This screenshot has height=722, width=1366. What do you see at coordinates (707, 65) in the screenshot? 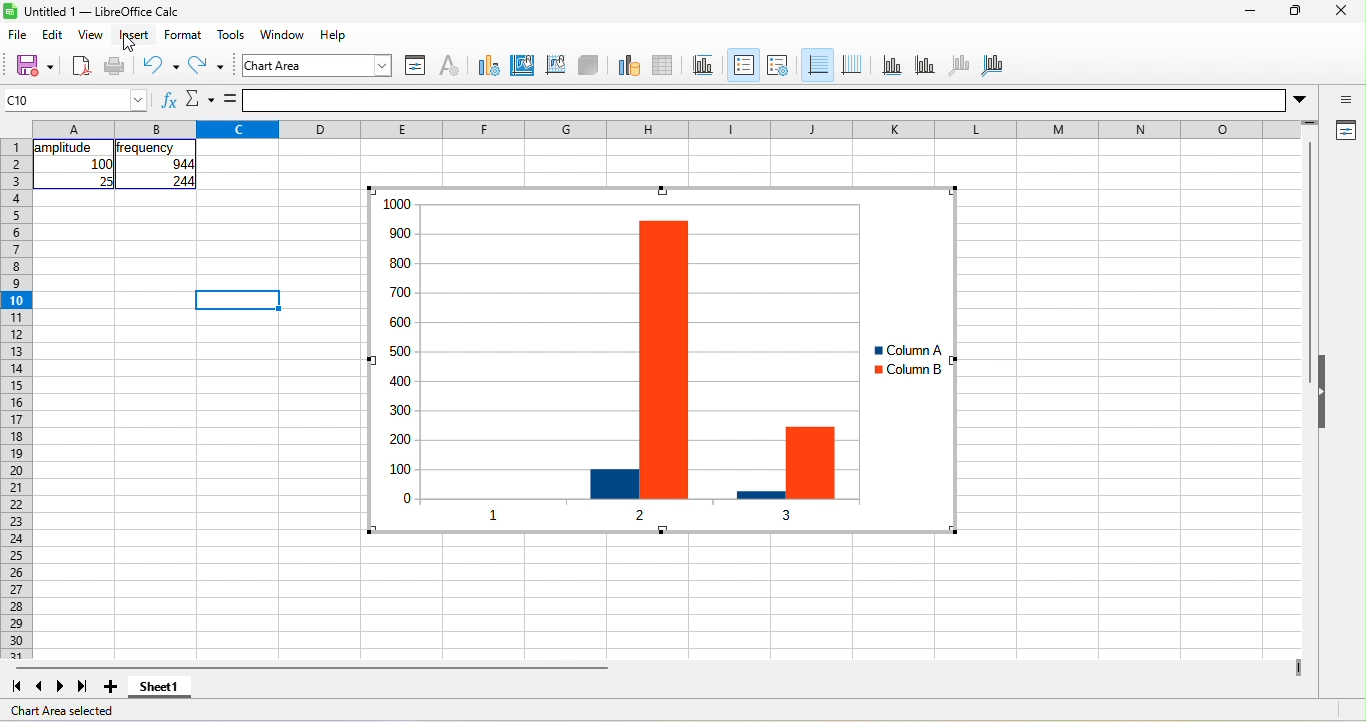
I see `title` at bounding box center [707, 65].